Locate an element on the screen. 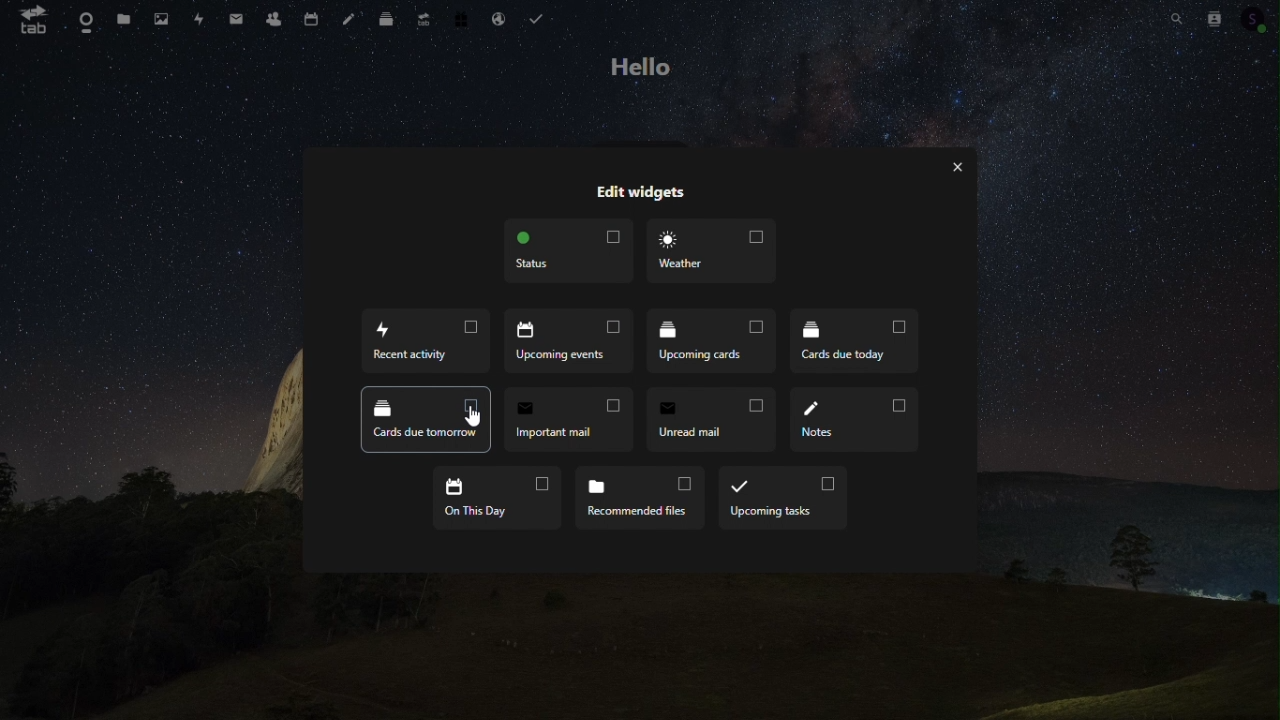 The image size is (1280, 720). mail is located at coordinates (236, 18).